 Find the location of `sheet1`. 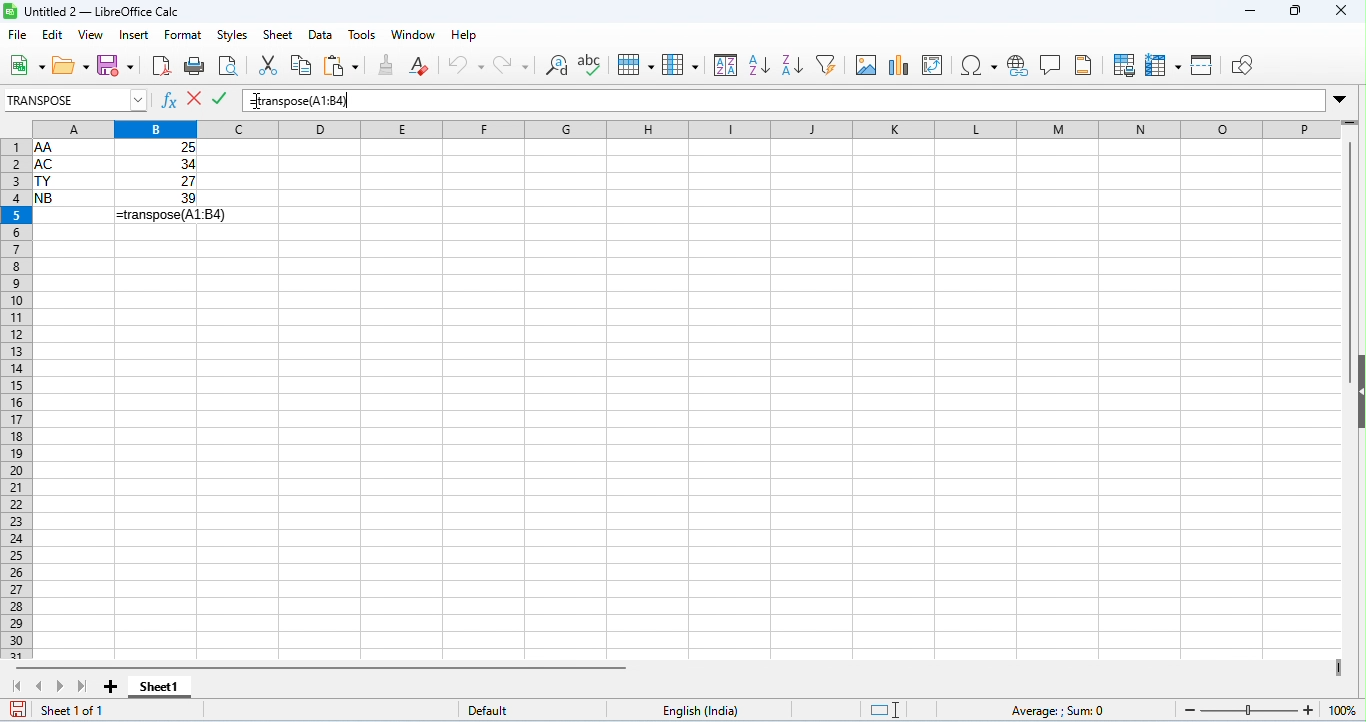

sheet1 is located at coordinates (169, 688).